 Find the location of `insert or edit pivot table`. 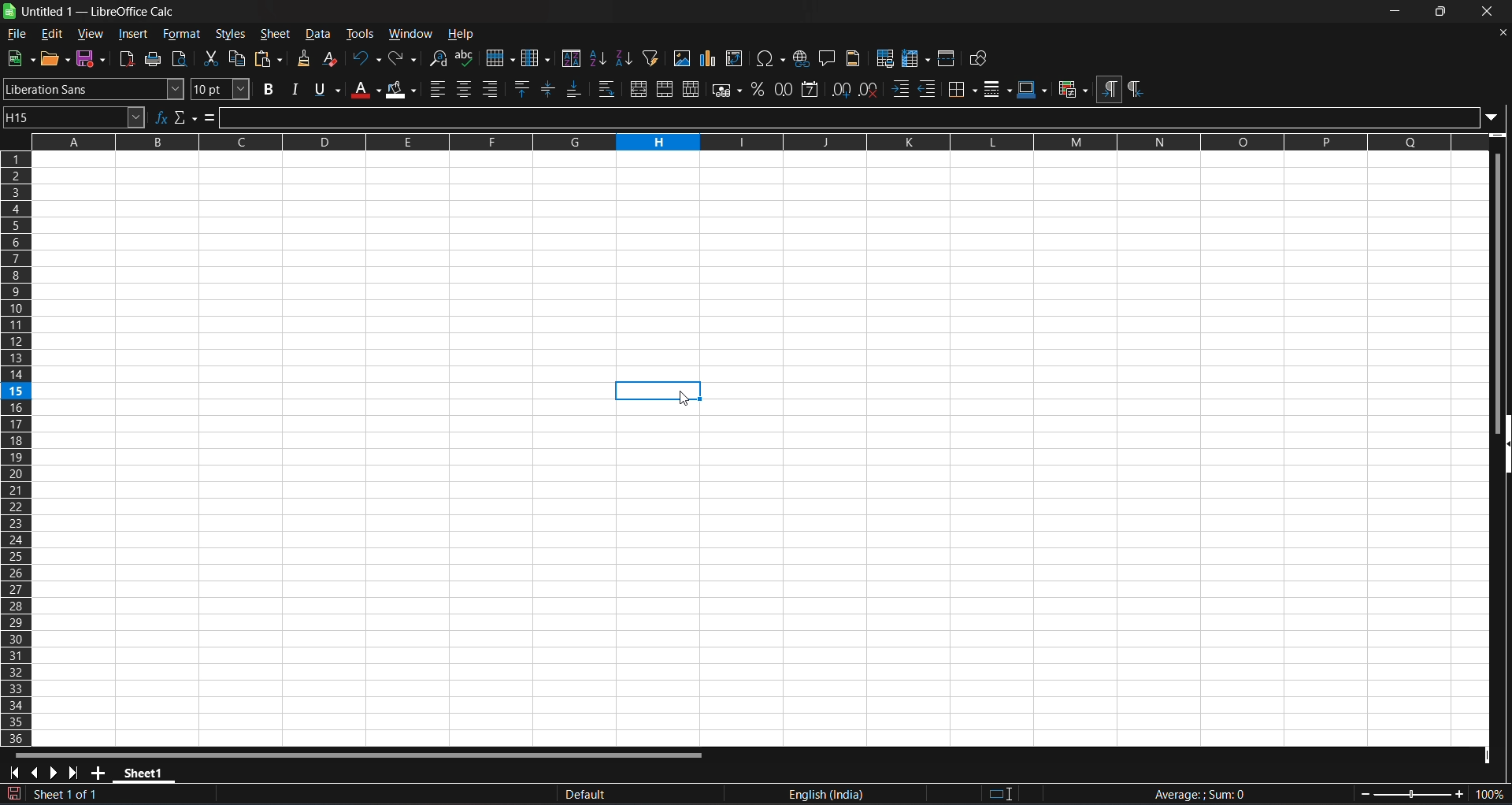

insert or edit pivot table is located at coordinates (734, 59).